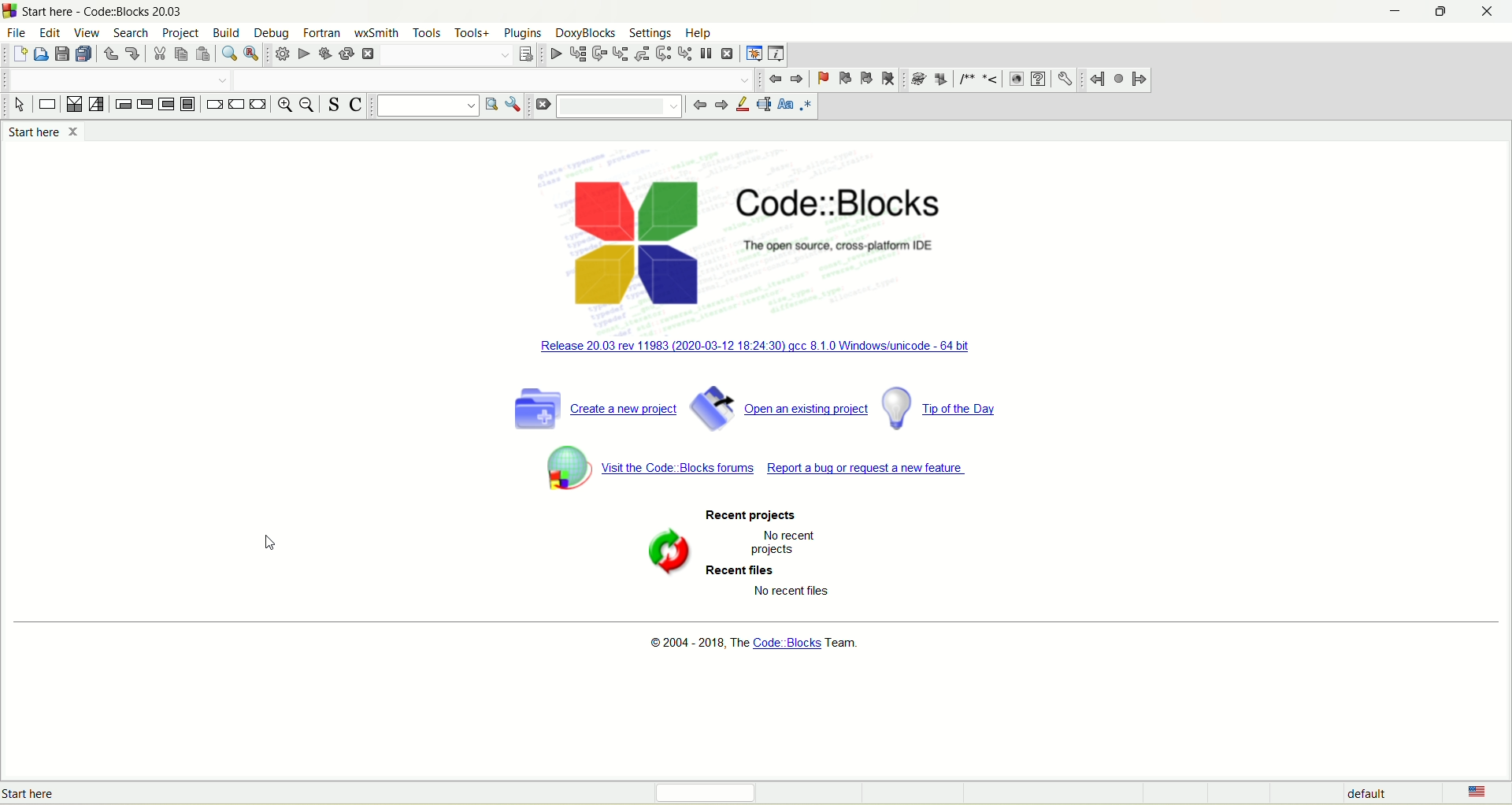  What do you see at coordinates (524, 54) in the screenshot?
I see `select target dialog` at bounding box center [524, 54].